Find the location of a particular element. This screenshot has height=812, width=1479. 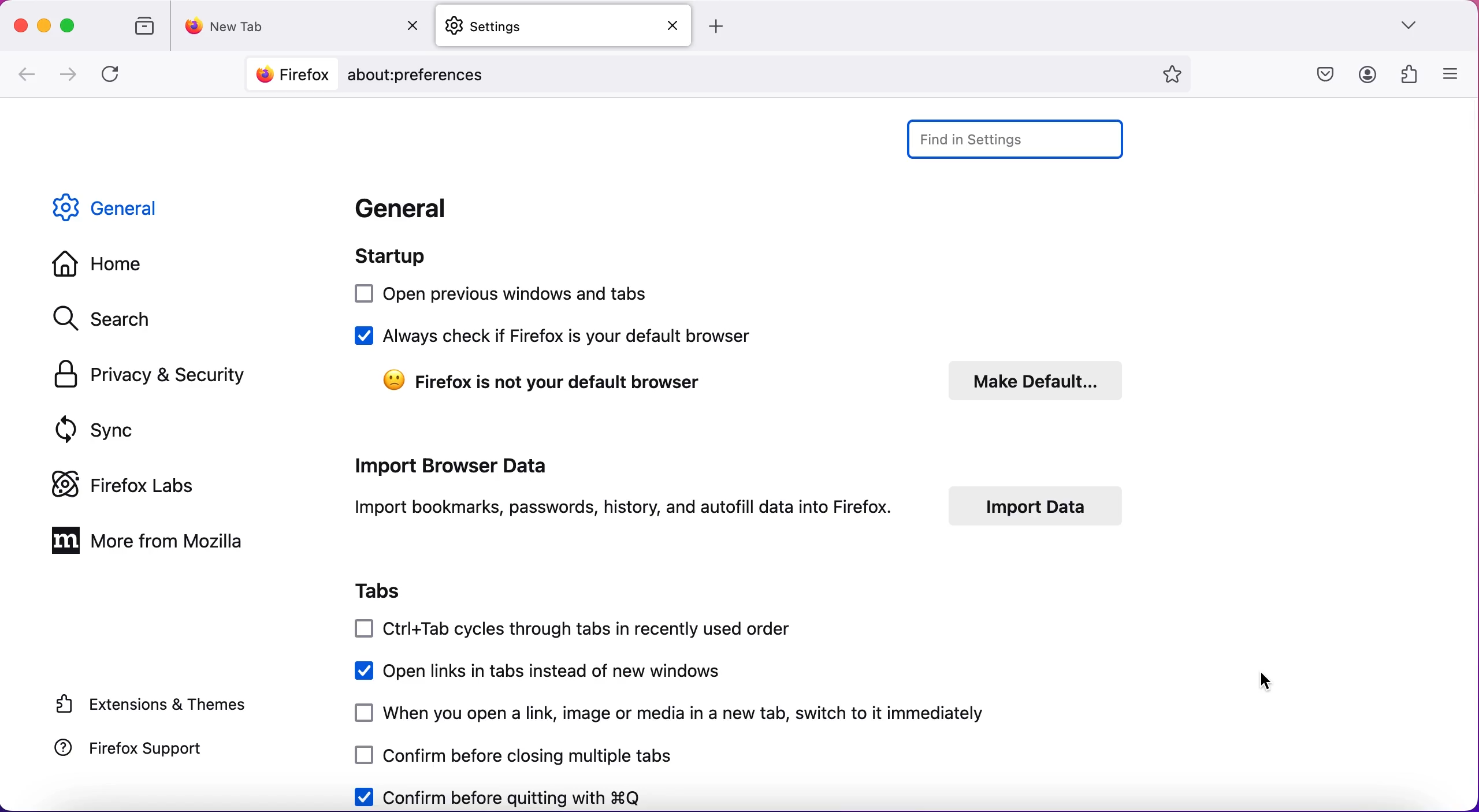

startup is located at coordinates (404, 256).